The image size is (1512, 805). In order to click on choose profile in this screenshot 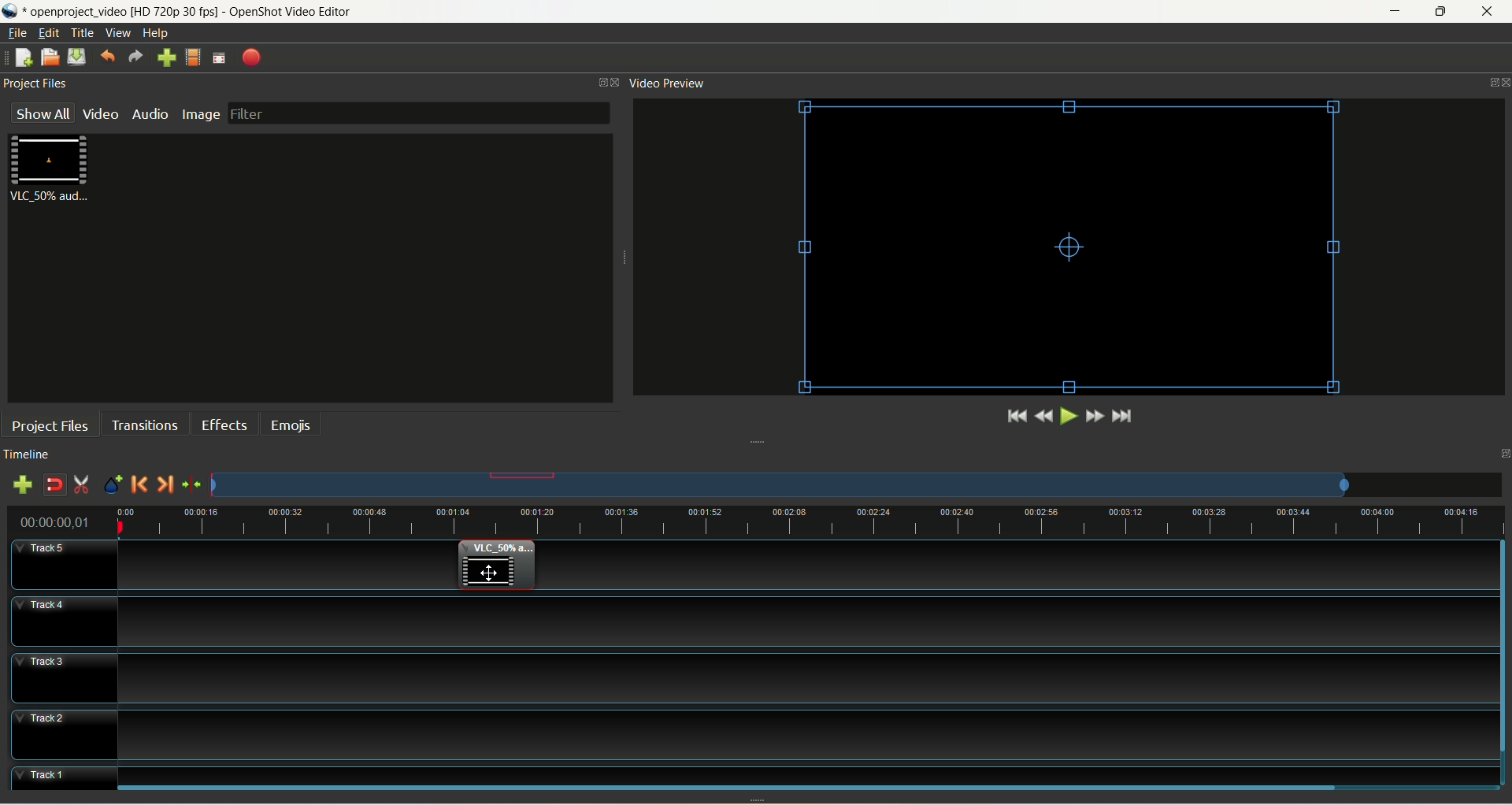, I will do `click(193, 57)`.